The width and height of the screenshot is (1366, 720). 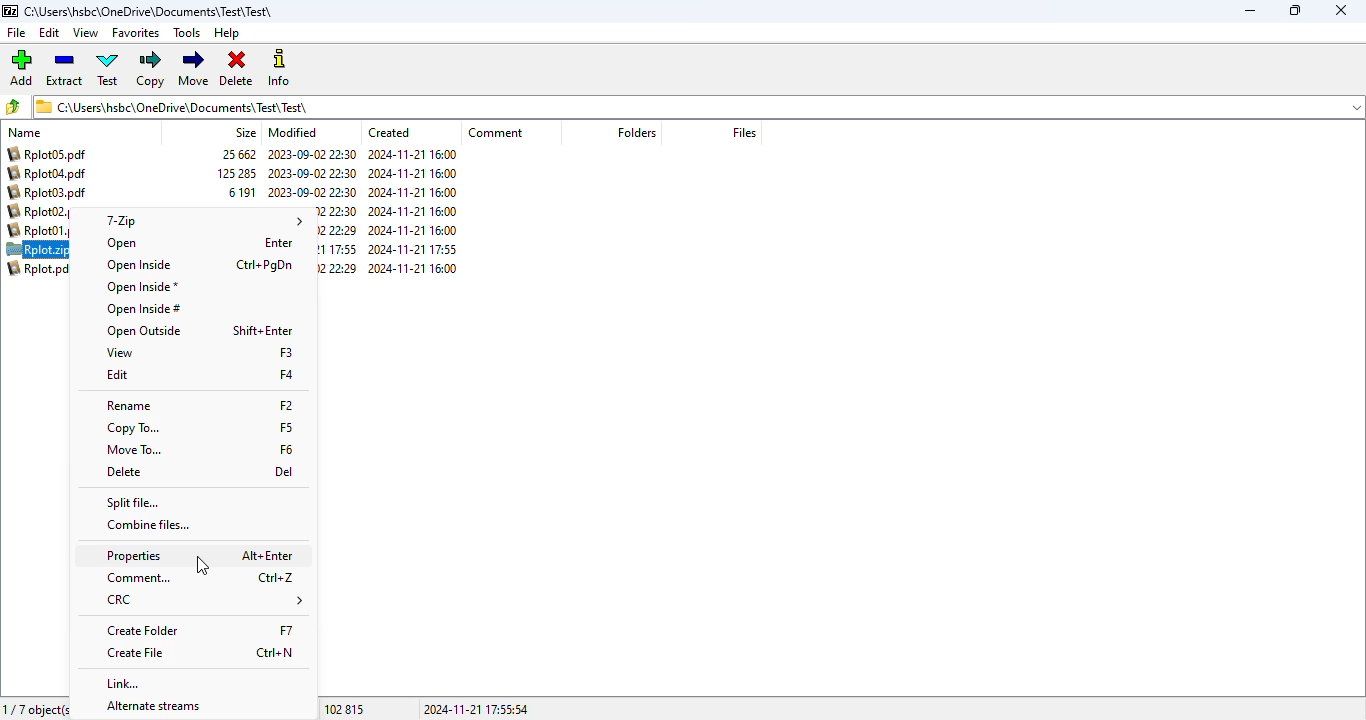 What do you see at coordinates (287, 374) in the screenshot?
I see `shortcut for edit` at bounding box center [287, 374].